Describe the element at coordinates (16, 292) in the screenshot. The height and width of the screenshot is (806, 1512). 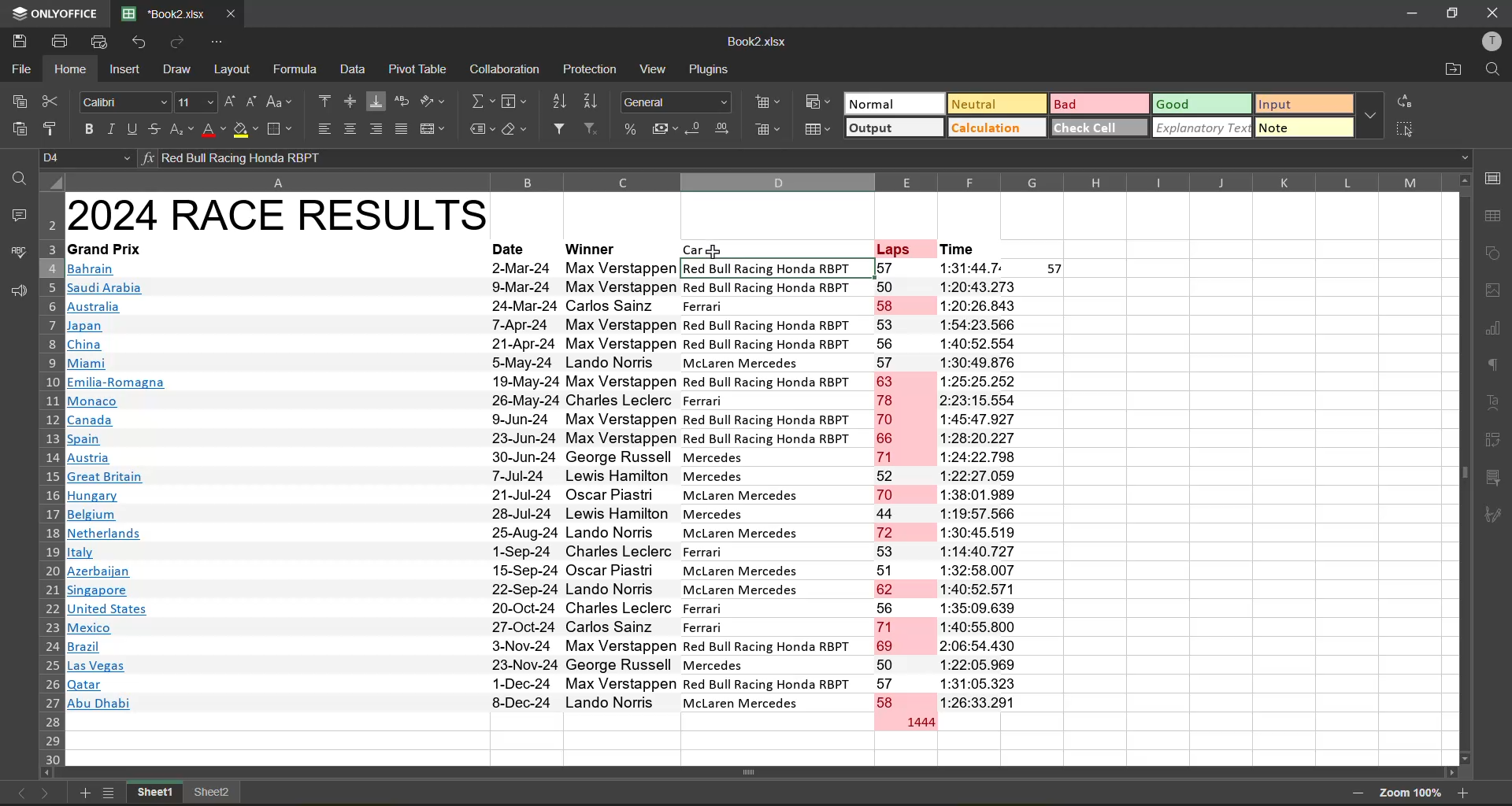
I see `feedback` at that location.